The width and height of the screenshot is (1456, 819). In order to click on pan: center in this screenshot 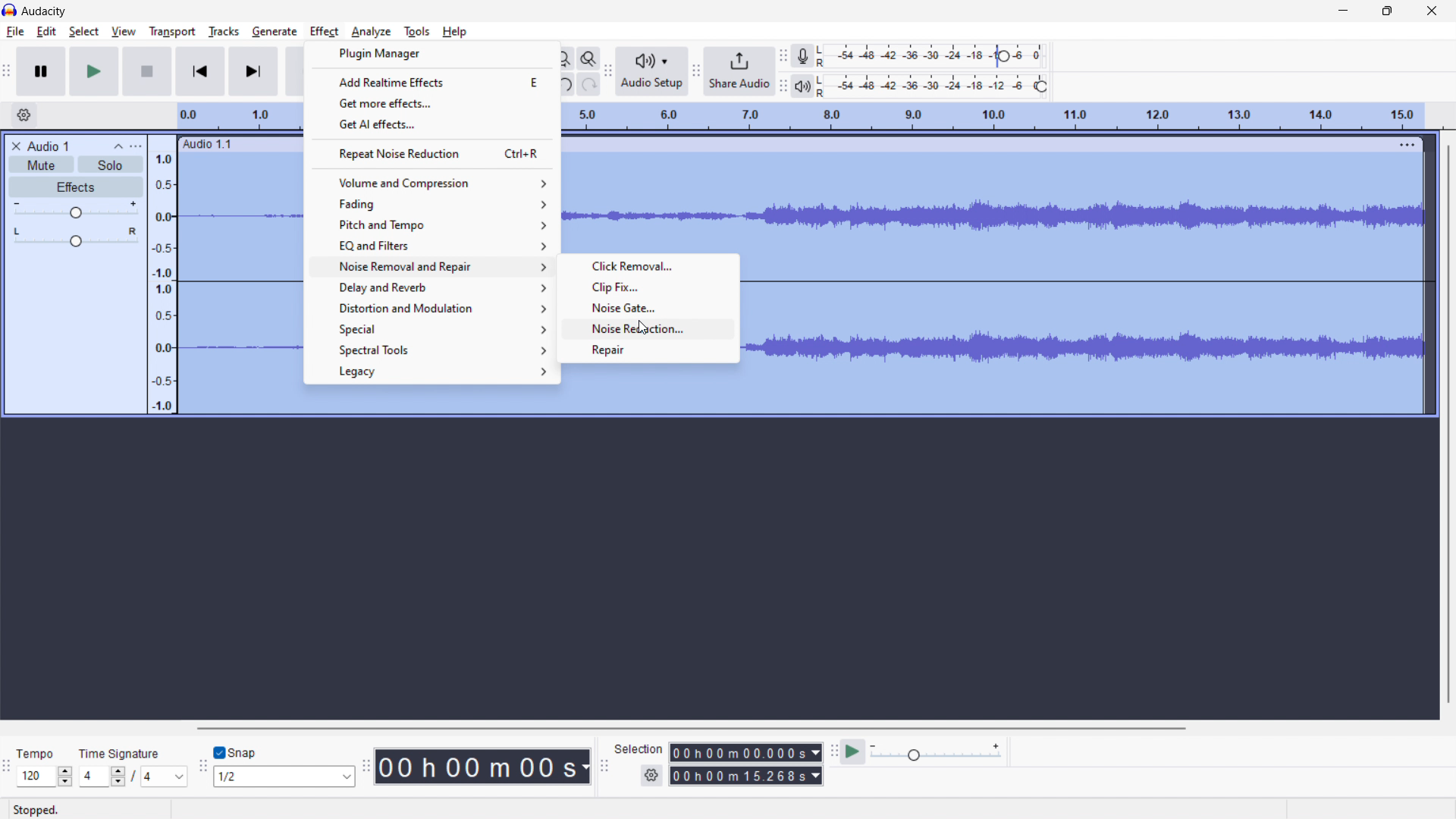, I will do `click(77, 237)`.